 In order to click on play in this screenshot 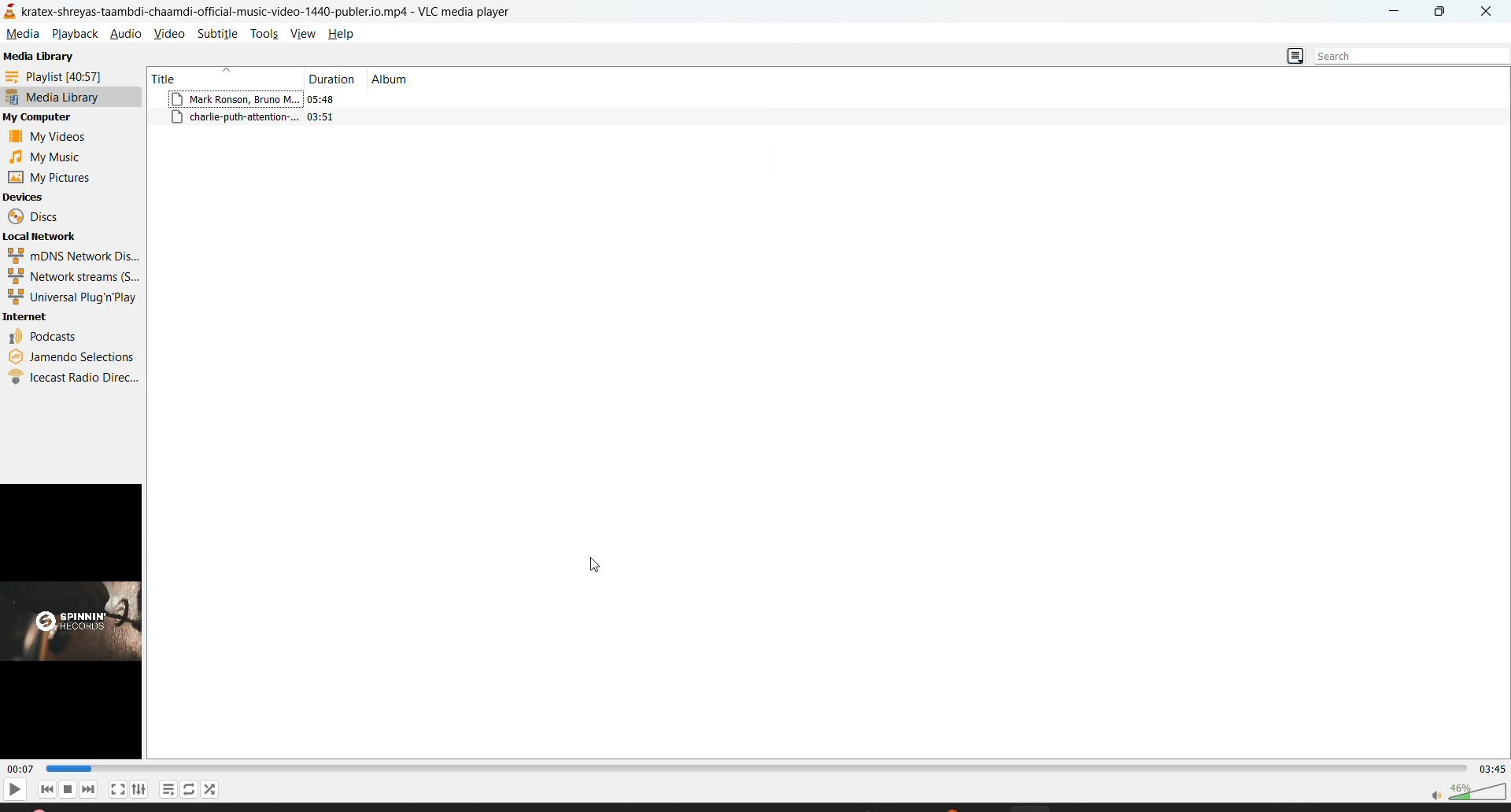, I will do `click(11, 788)`.